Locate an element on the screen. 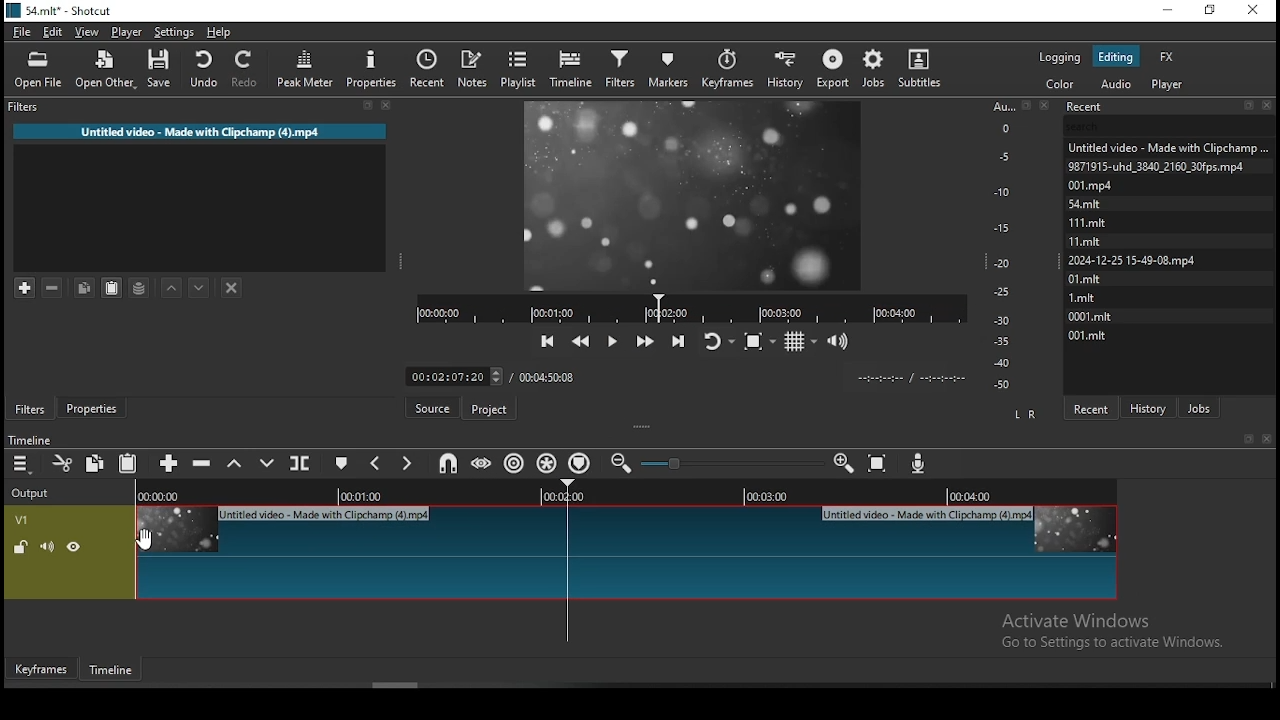 The height and width of the screenshot is (720, 1280). timeline is located at coordinates (107, 669).